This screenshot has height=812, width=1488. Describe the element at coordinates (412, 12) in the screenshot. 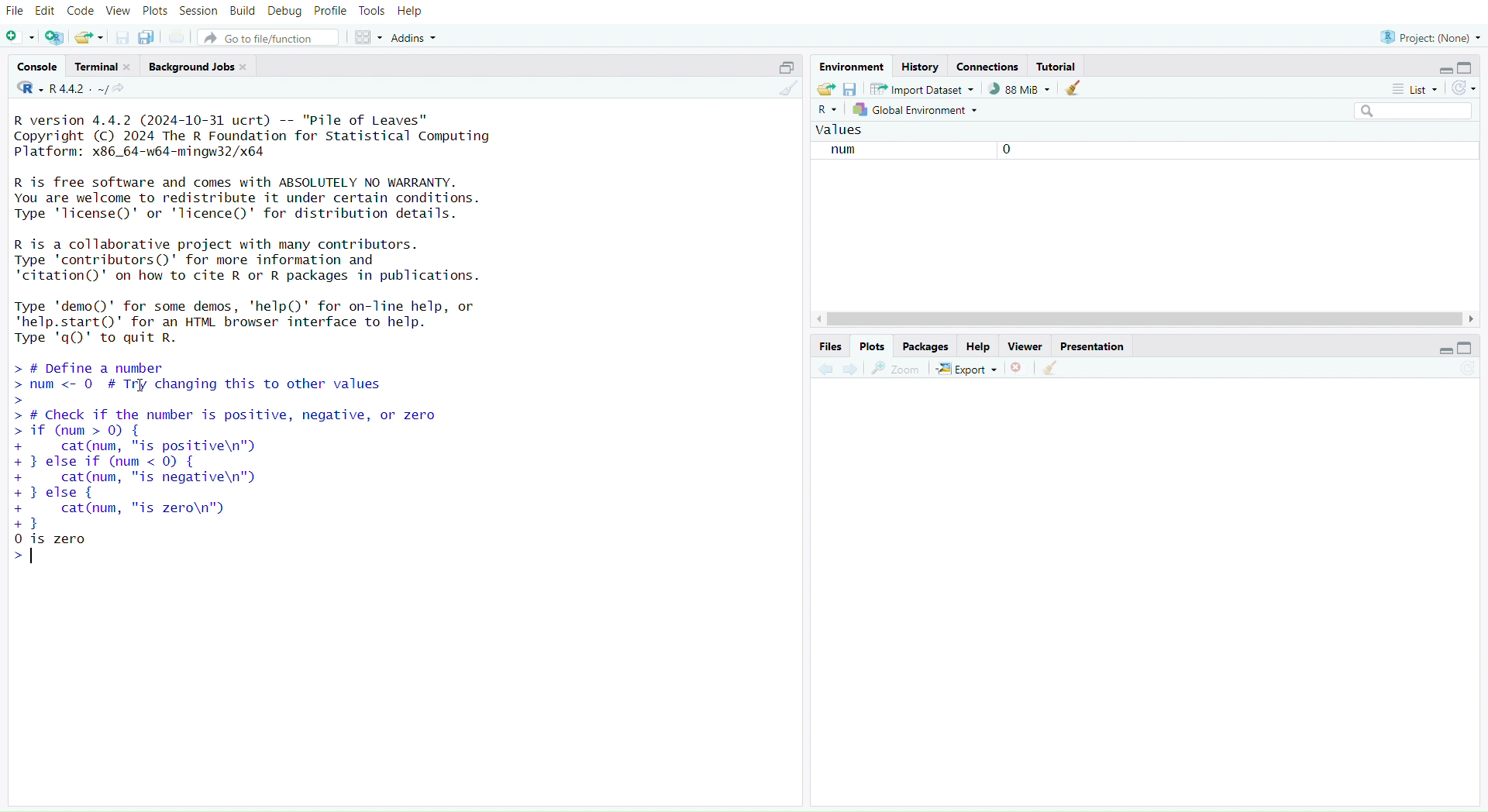

I see `help` at that location.